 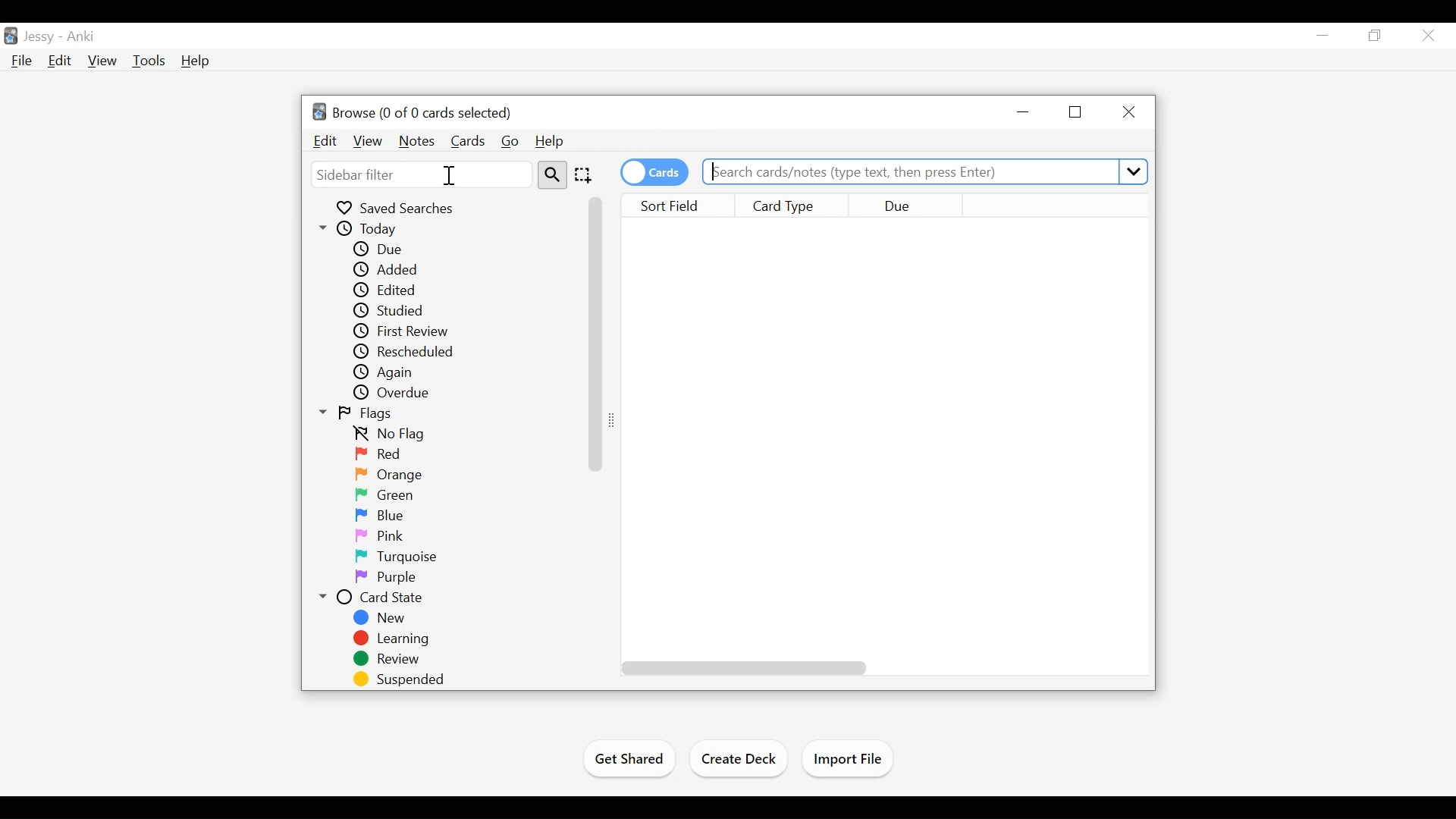 I want to click on Horizontal Scroll bar, so click(x=745, y=667).